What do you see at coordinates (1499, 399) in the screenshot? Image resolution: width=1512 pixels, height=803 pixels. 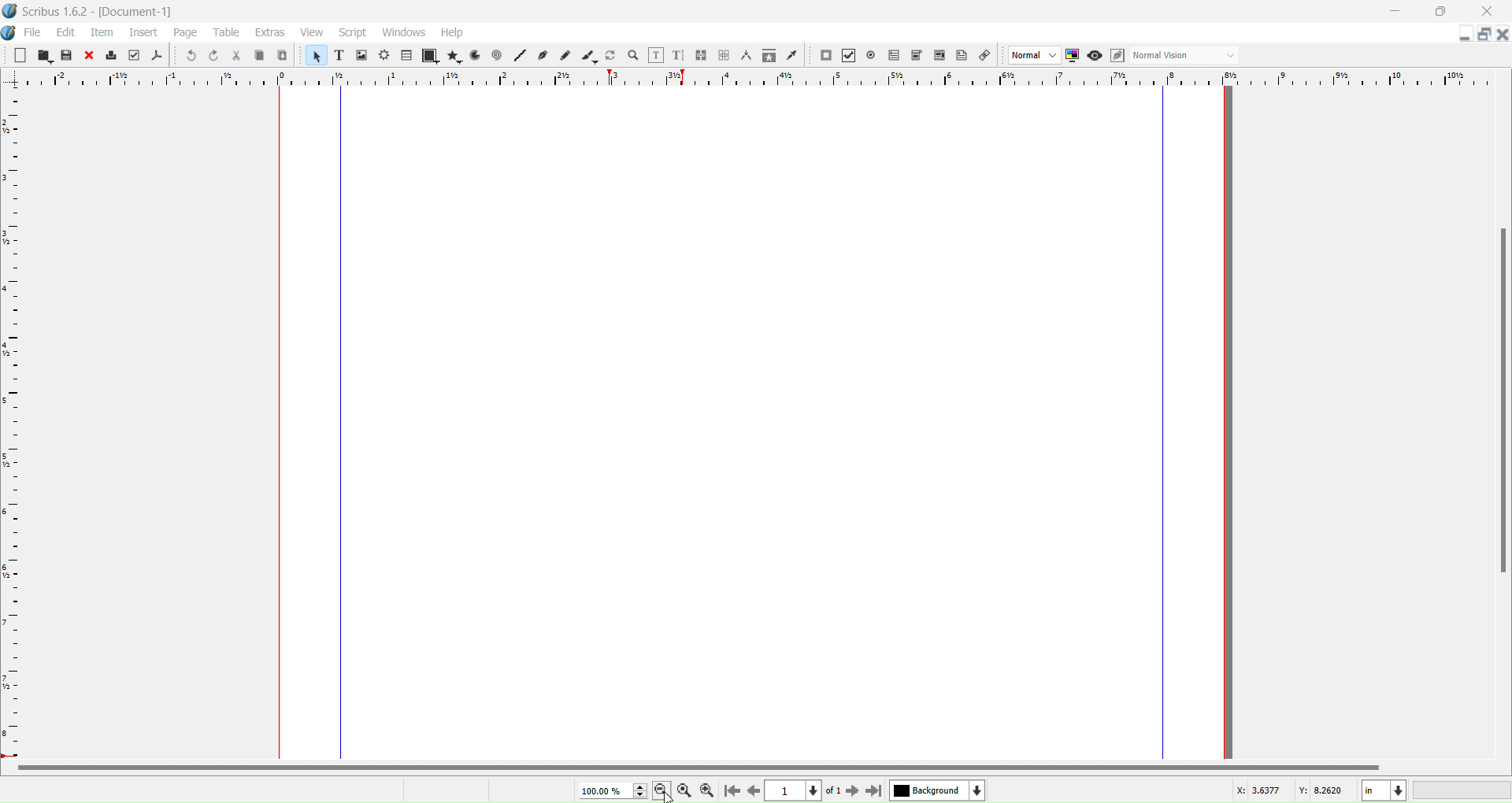 I see `Vertical Scroll Bar` at bounding box center [1499, 399].